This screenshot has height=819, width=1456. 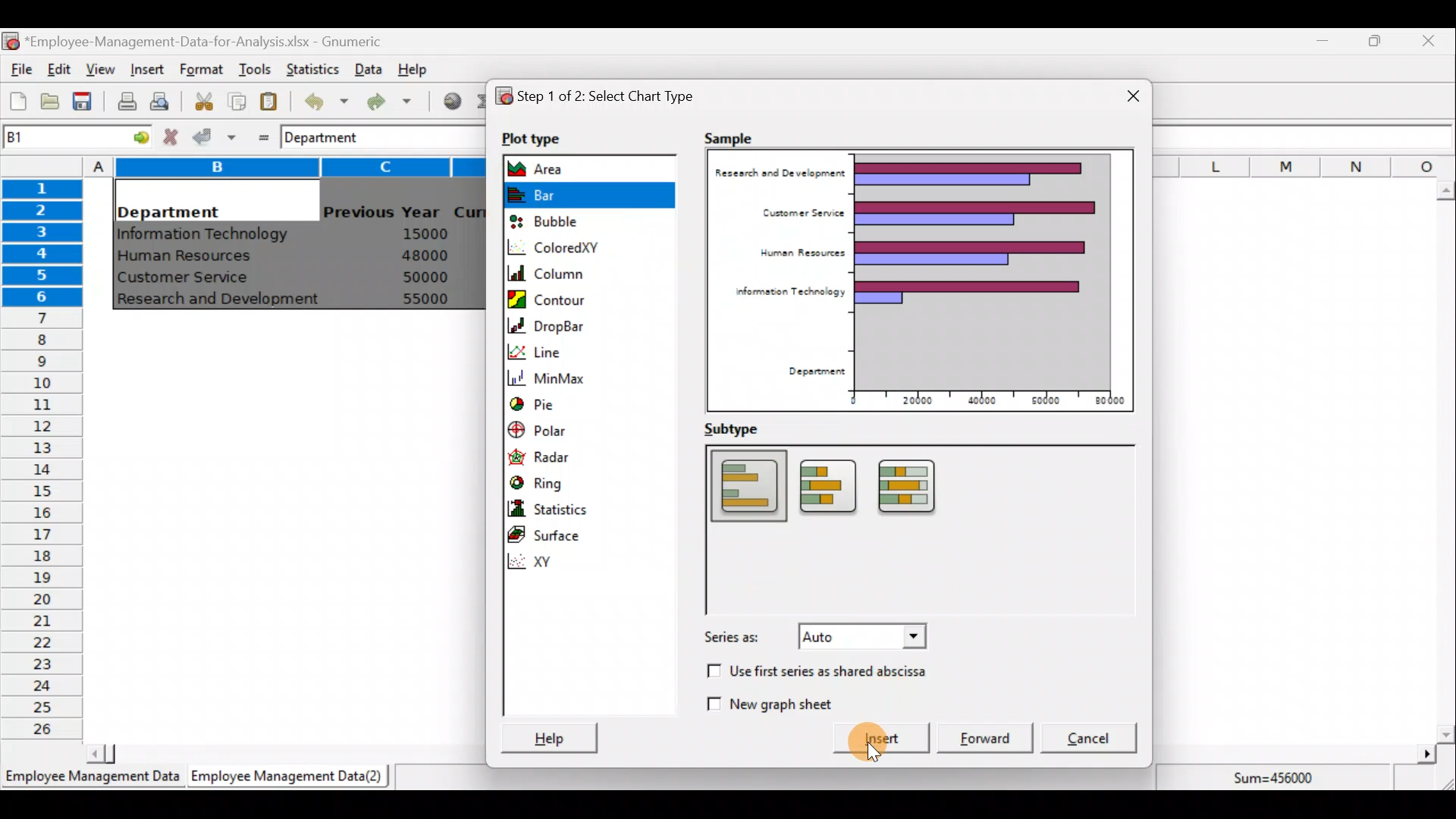 What do you see at coordinates (588, 194) in the screenshot?
I see `Bar` at bounding box center [588, 194].